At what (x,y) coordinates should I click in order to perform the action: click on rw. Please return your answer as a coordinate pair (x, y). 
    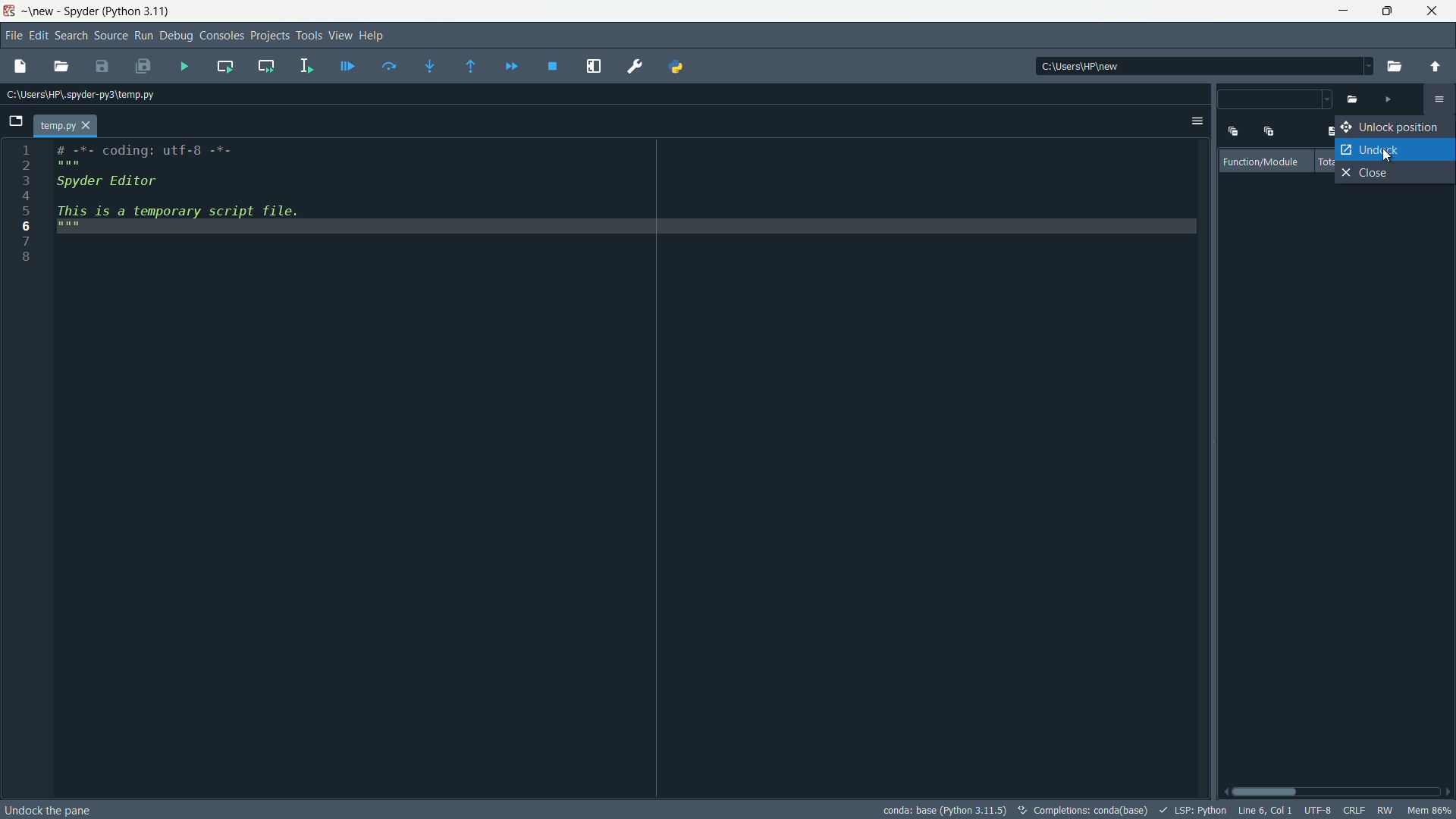
    Looking at the image, I should click on (1385, 812).